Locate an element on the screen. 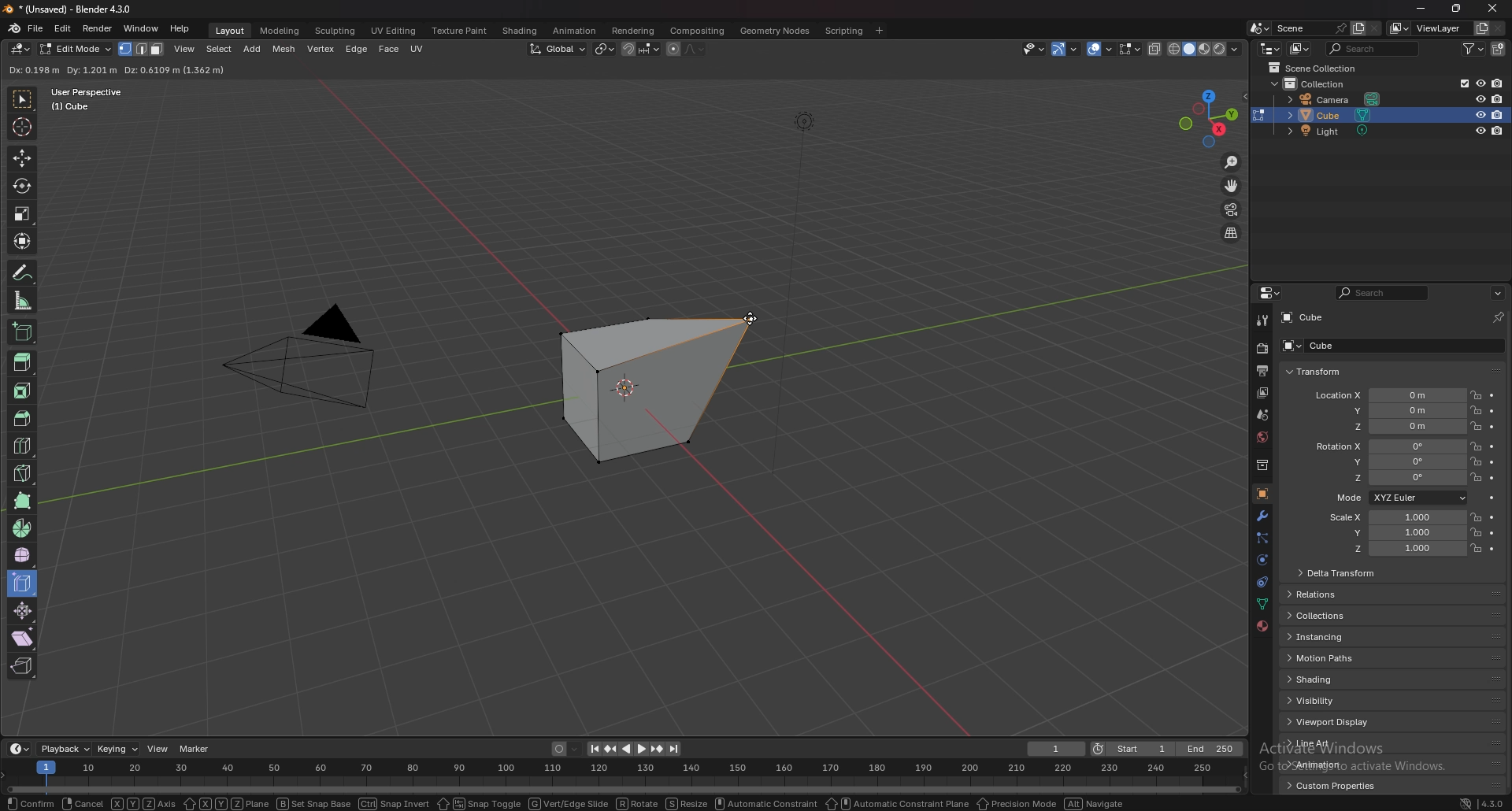 This screenshot has height=811, width=1512. constraints is located at coordinates (1262, 581).